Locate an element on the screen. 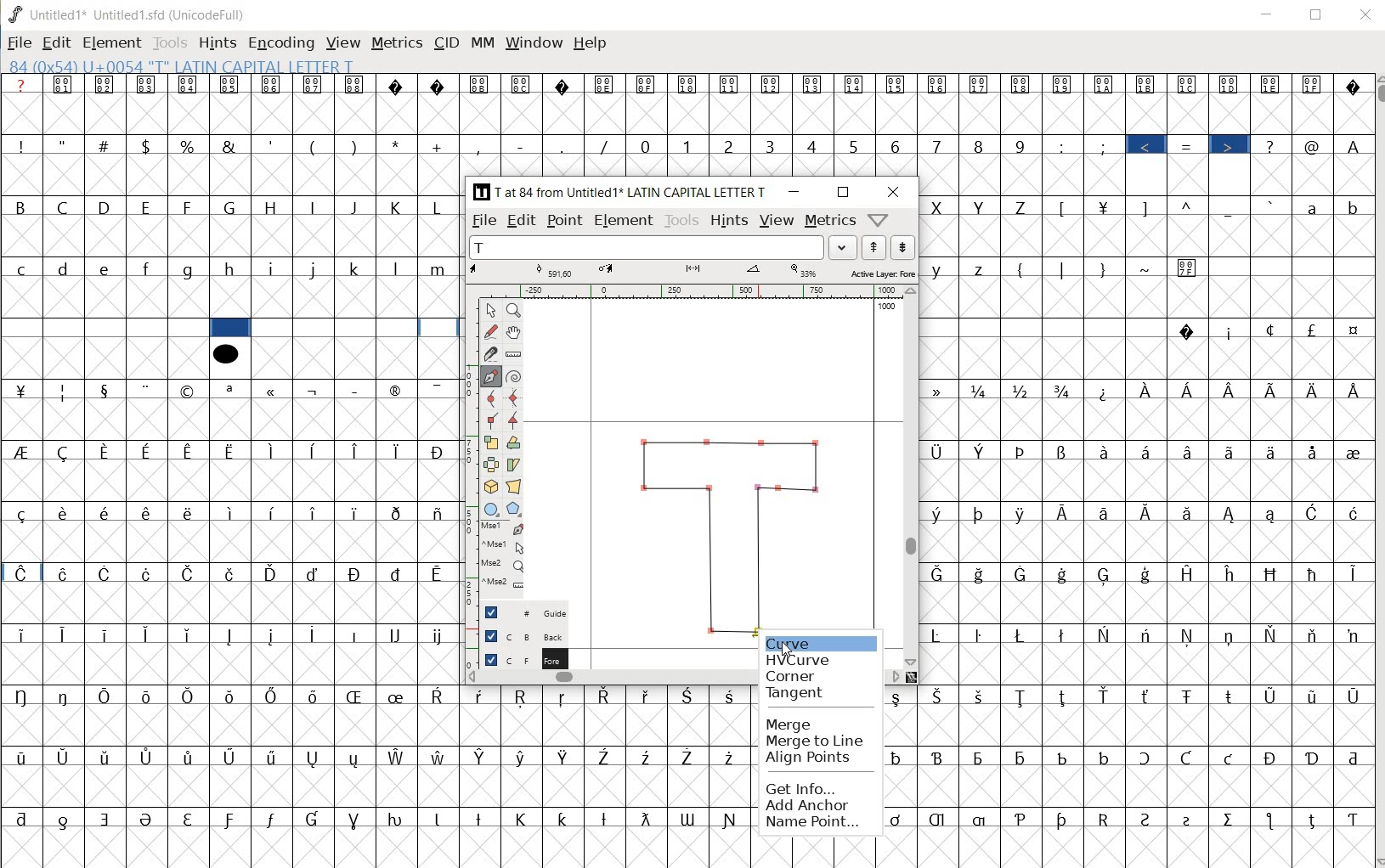  Symbol is located at coordinates (399, 389).